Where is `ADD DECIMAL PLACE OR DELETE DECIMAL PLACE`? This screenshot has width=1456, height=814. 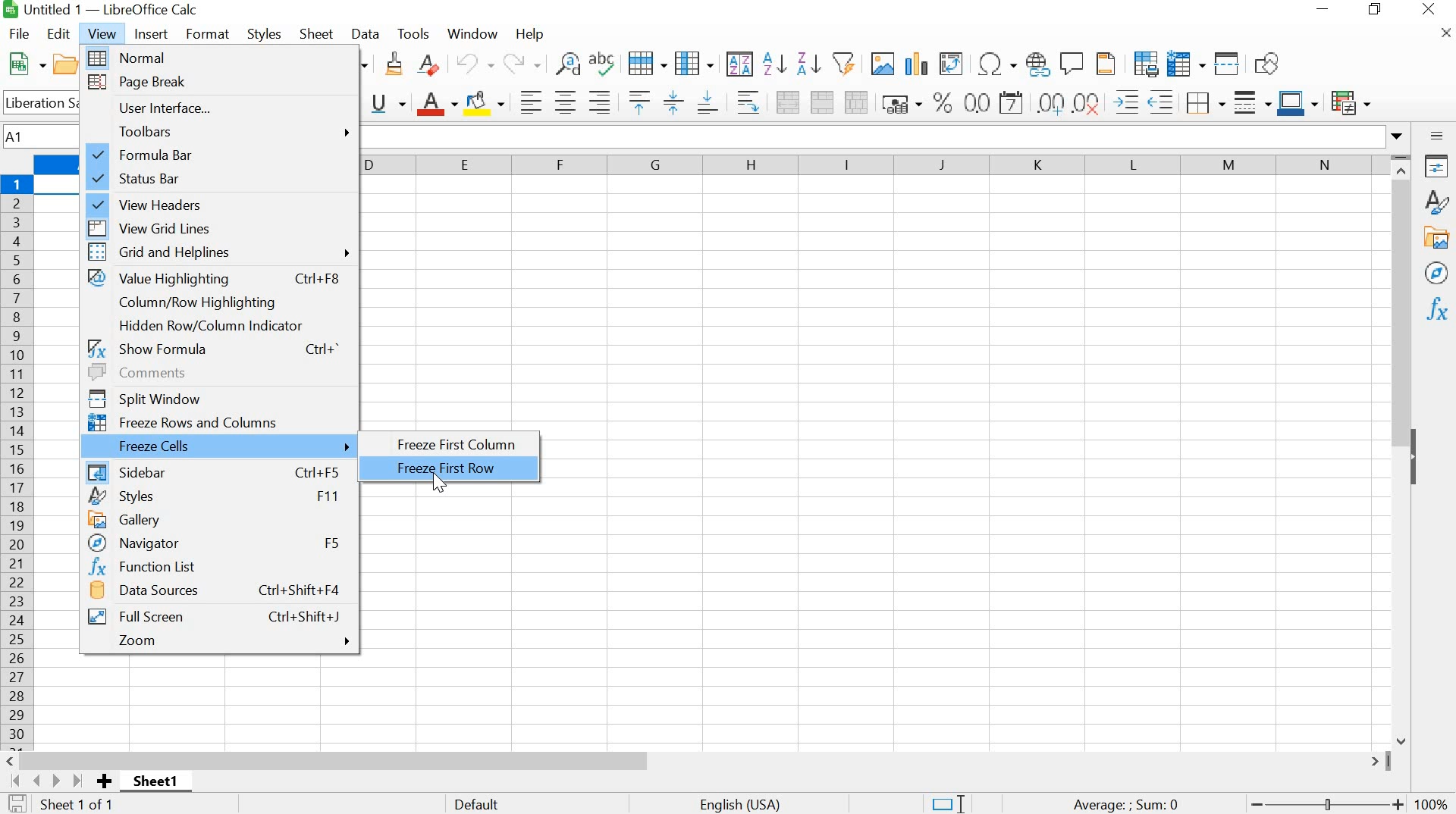
ADD DECIMAL PLACE OR DELETE DECIMAL PLACE is located at coordinates (1071, 101).